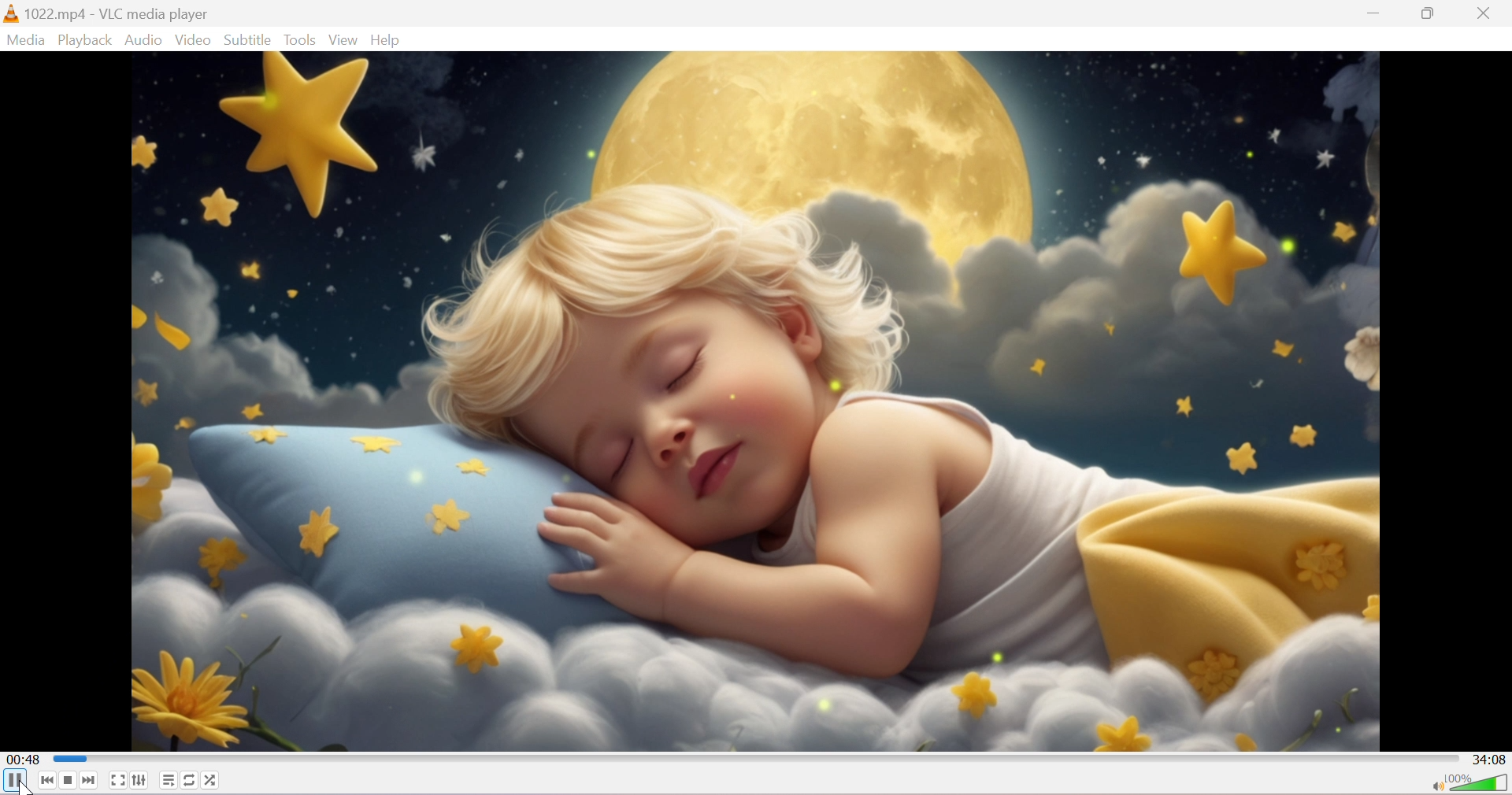 The image size is (1512, 795). Describe the element at coordinates (190, 781) in the screenshot. I see `Click to toggle between loop all, loop one and no loop` at that location.